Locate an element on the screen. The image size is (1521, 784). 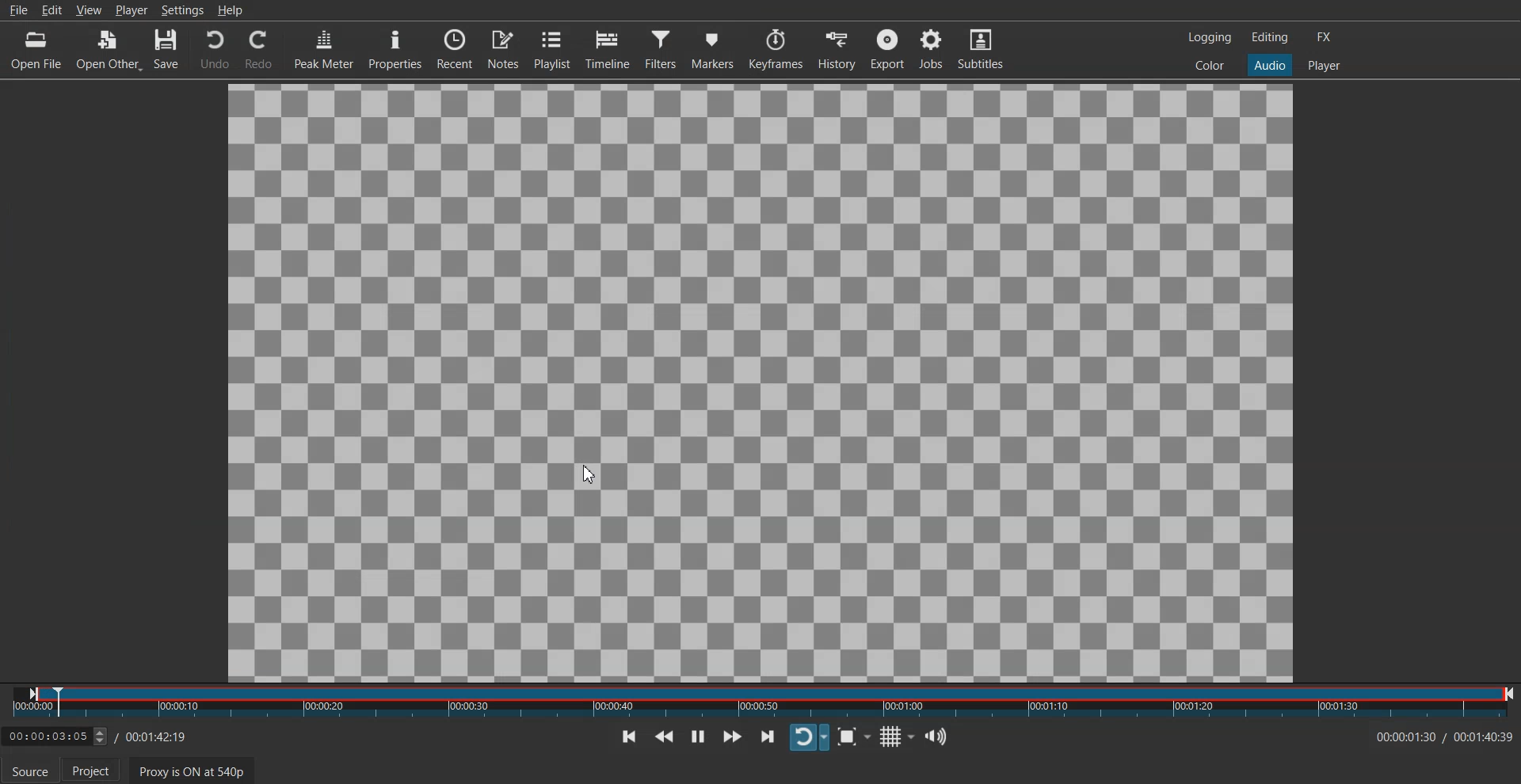
Recent is located at coordinates (455, 48).